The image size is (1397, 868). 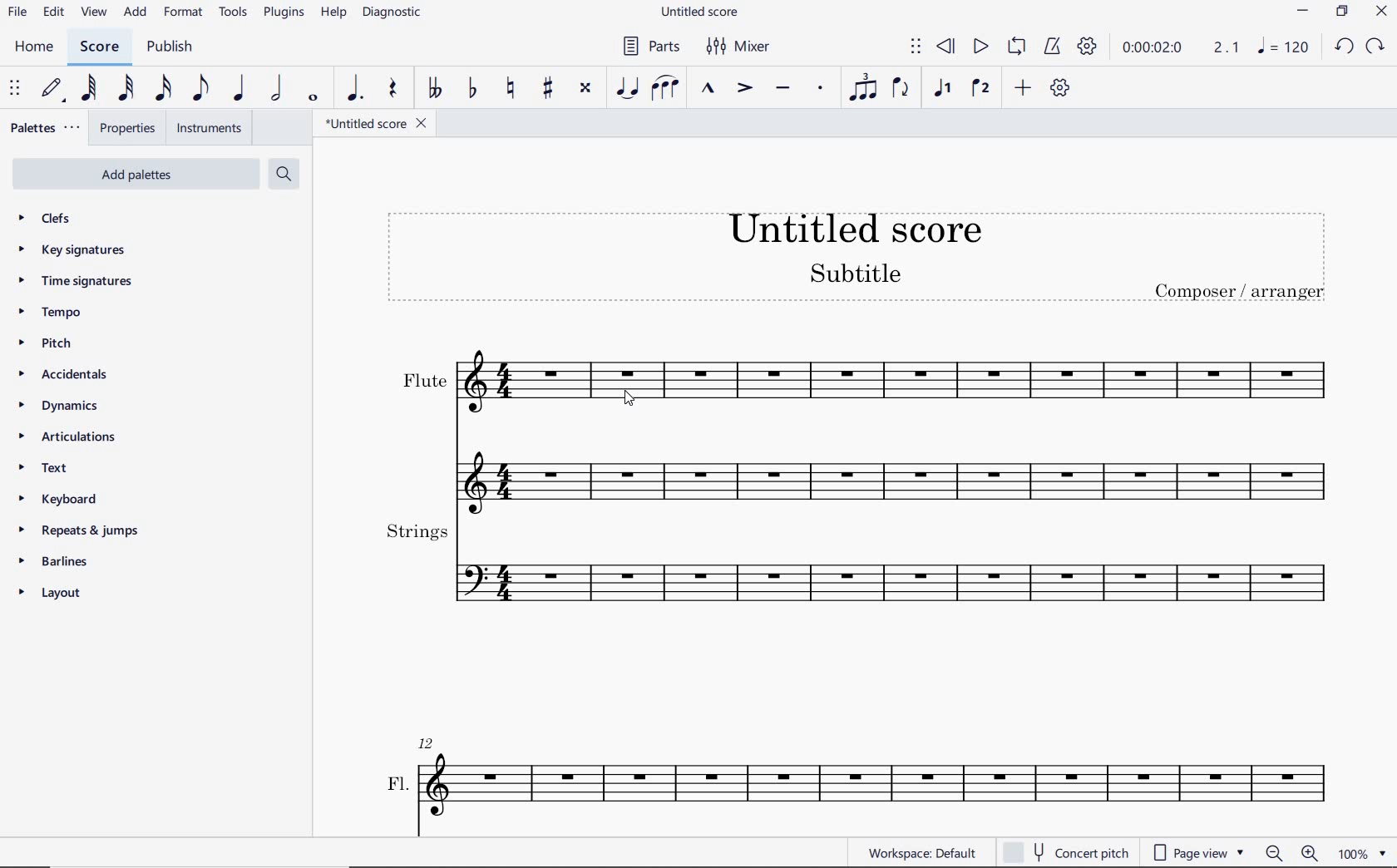 What do you see at coordinates (286, 174) in the screenshot?
I see `search palettes` at bounding box center [286, 174].